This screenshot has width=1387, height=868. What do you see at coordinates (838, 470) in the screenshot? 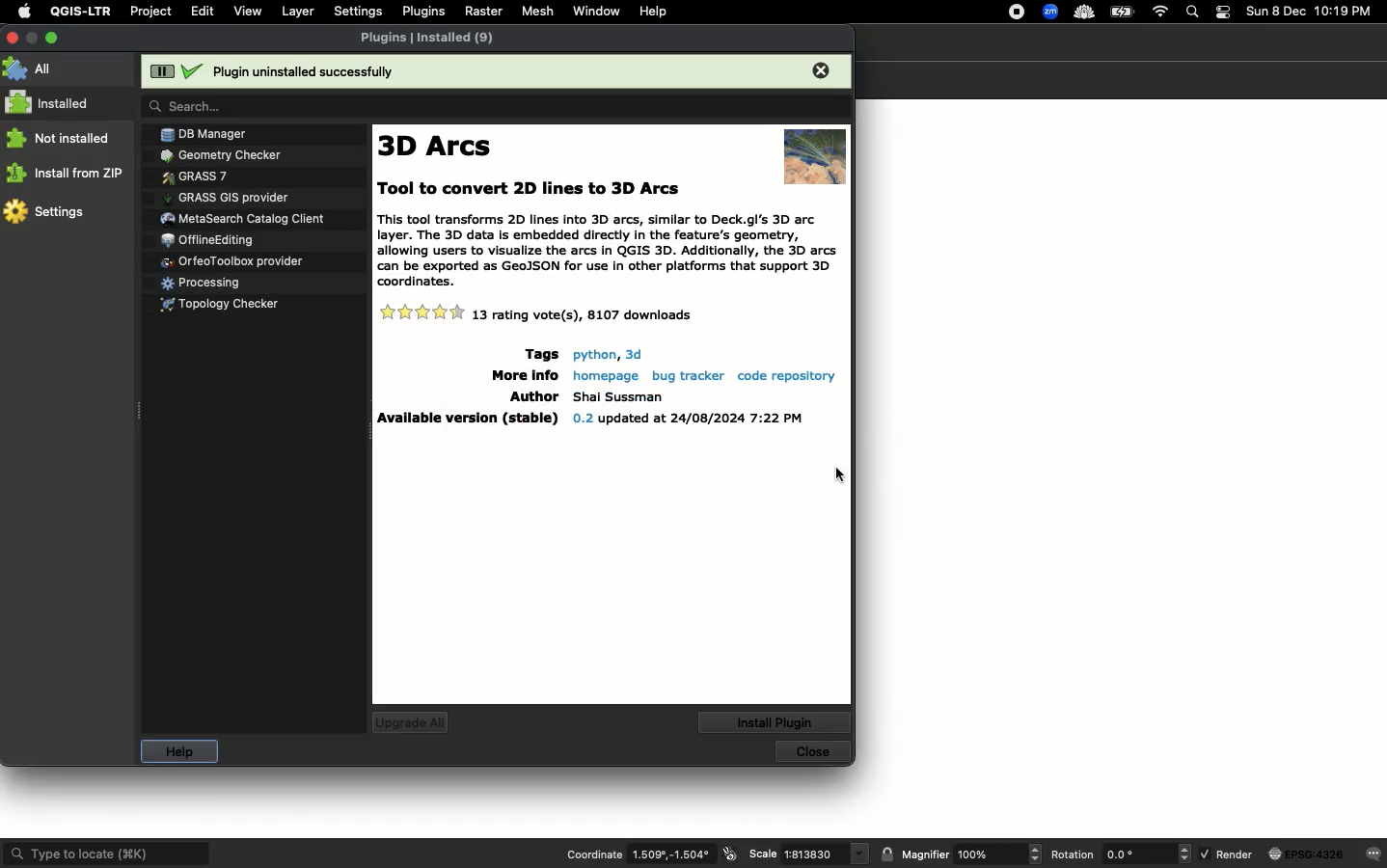
I see `cursor` at bounding box center [838, 470].